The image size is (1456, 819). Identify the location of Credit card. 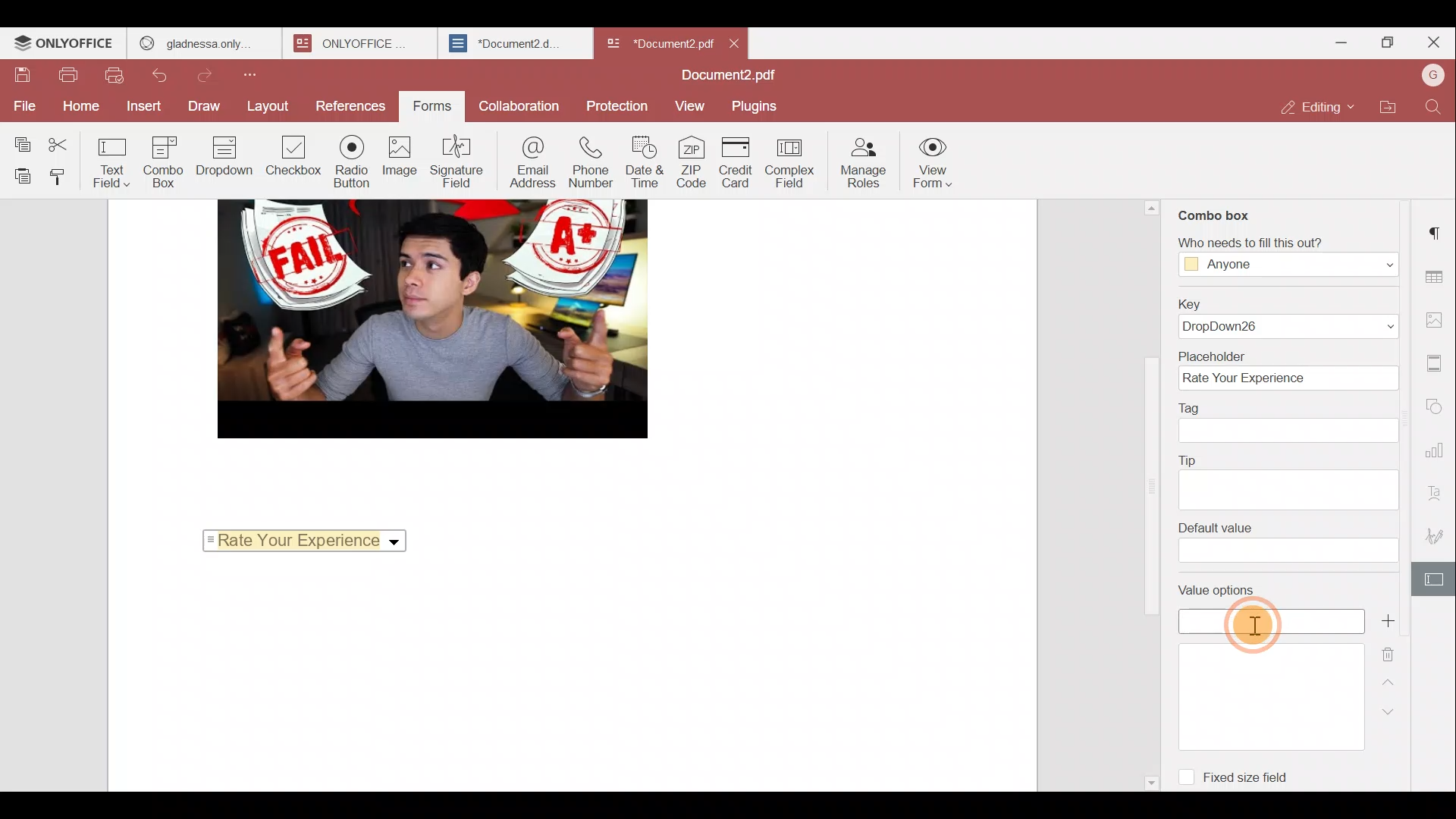
(738, 162).